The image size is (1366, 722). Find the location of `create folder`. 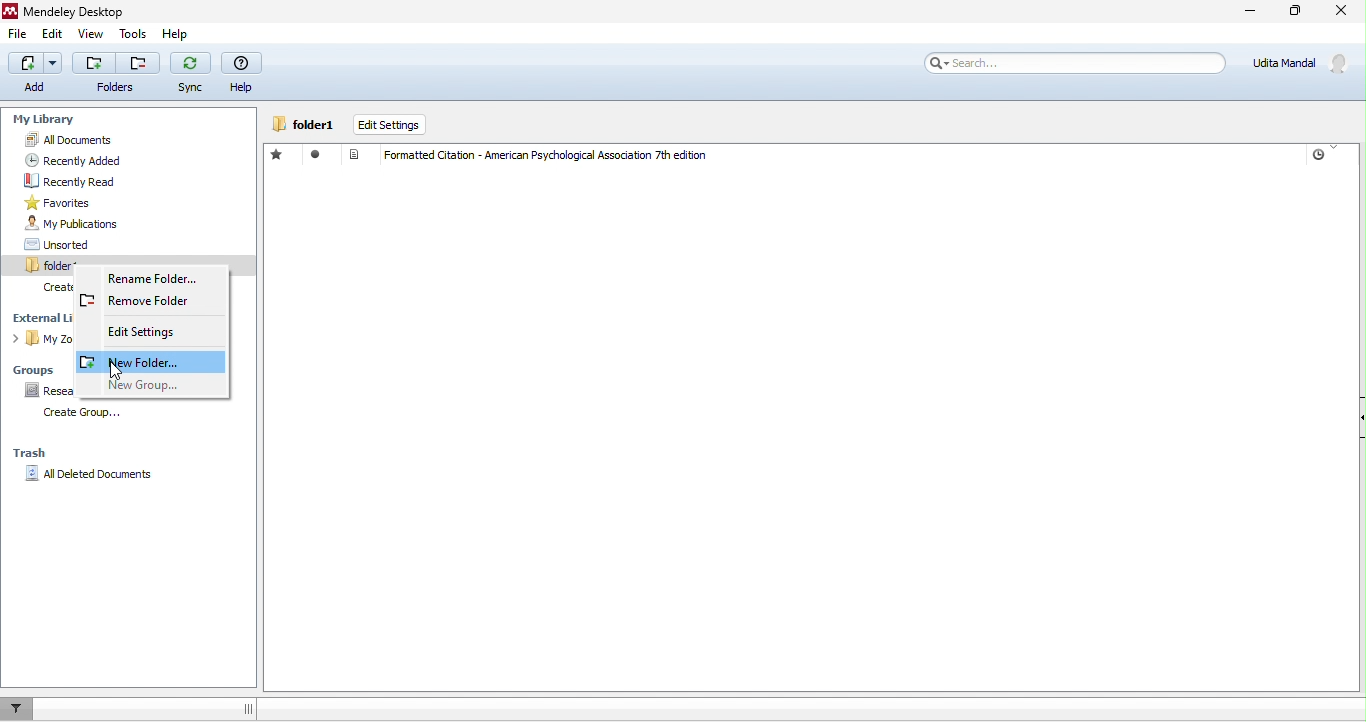

create folder is located at coordinates (40, 287).